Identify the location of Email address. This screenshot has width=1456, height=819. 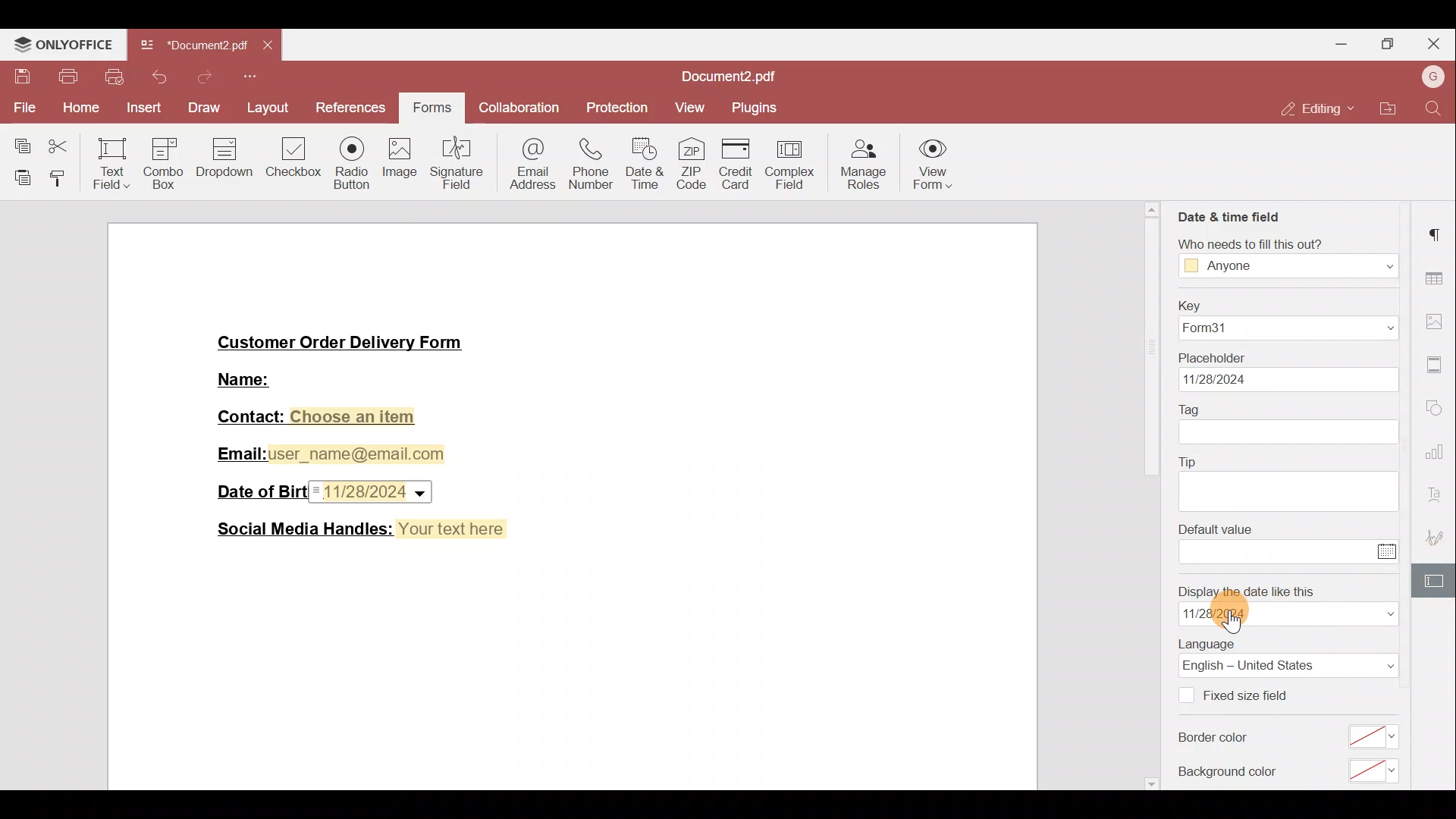
(531, 162).